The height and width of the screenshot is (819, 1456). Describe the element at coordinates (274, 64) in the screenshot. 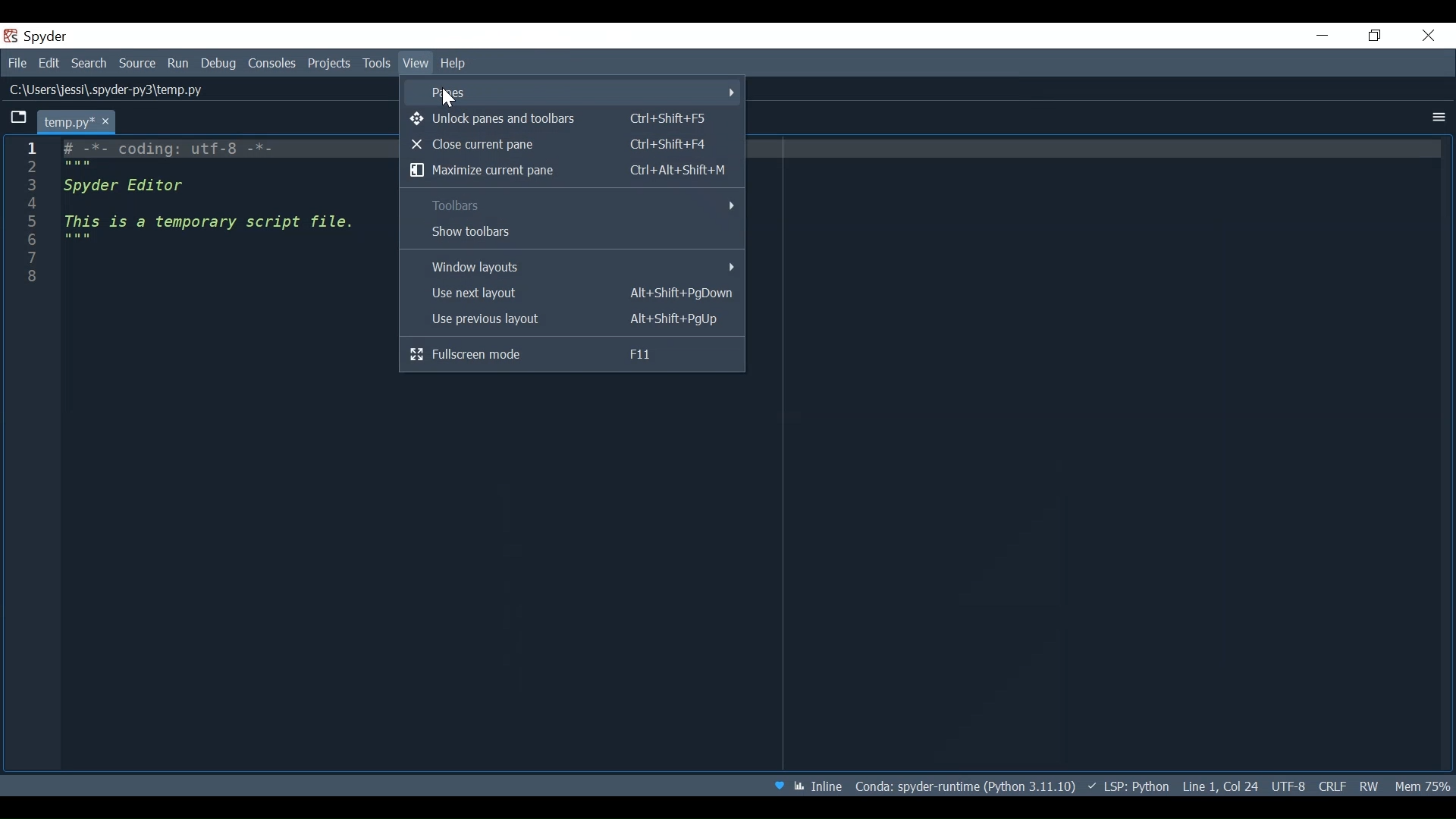

I see `Consoles` at that location.